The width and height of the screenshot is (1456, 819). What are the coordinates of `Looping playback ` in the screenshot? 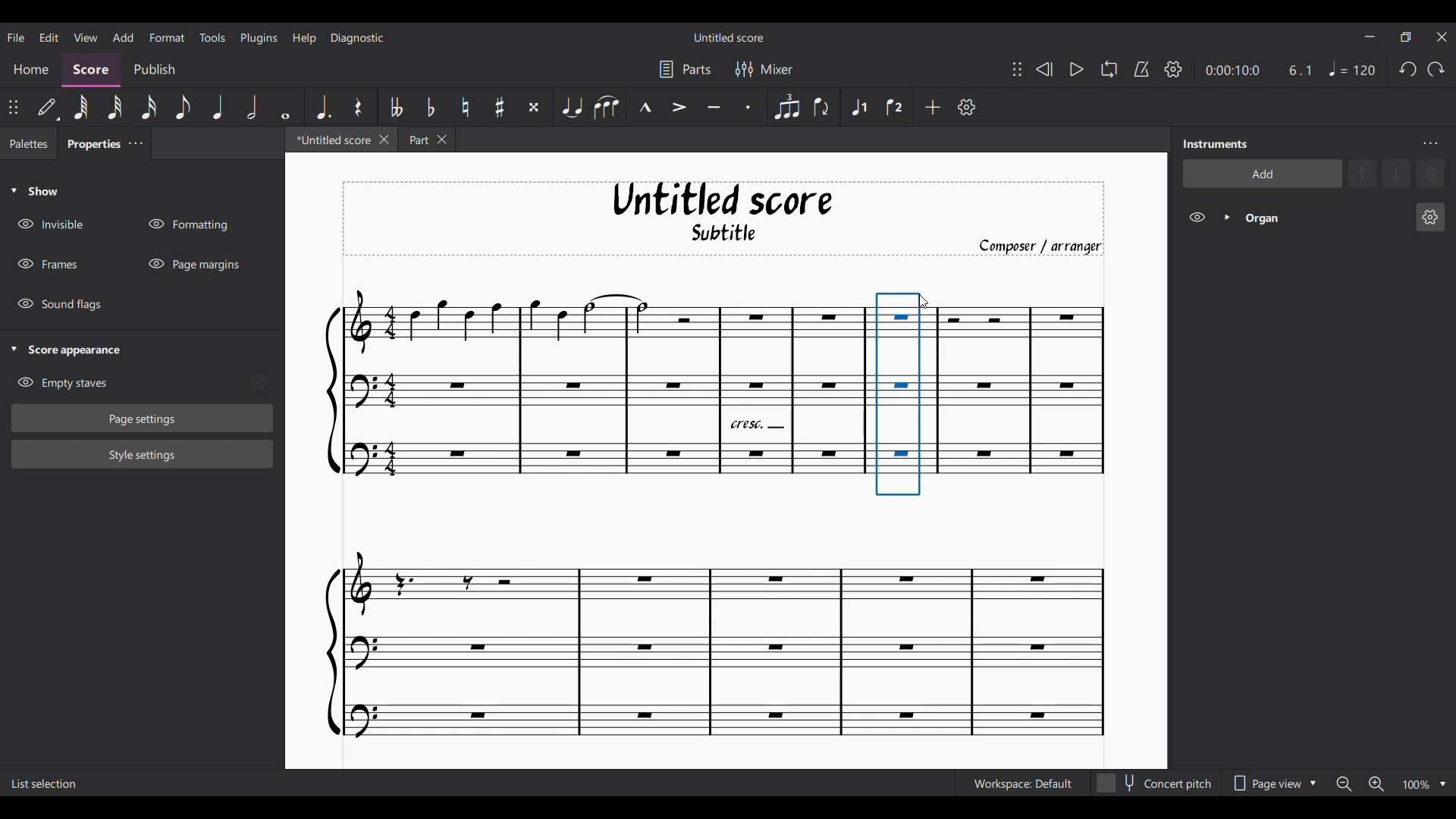 It's located at (1109, 69).